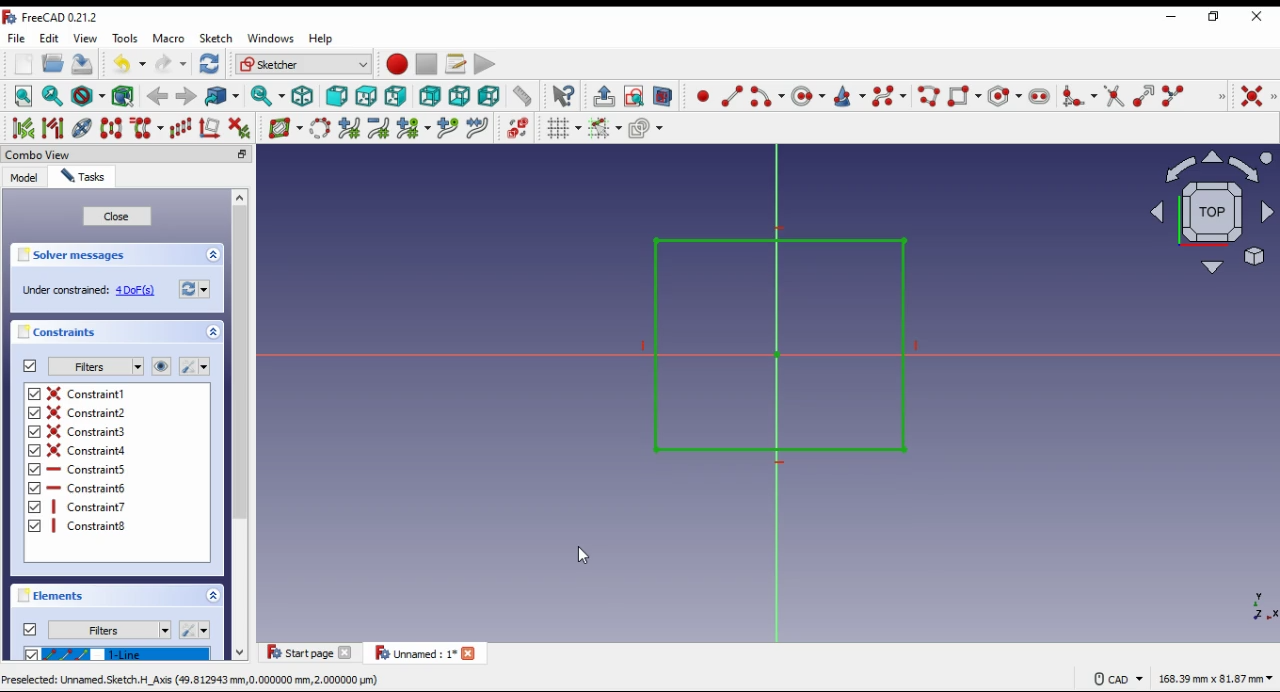  Describe the element at coordinates (88, 487) in the screenshot. I see `on/off constraint 6` at that location.